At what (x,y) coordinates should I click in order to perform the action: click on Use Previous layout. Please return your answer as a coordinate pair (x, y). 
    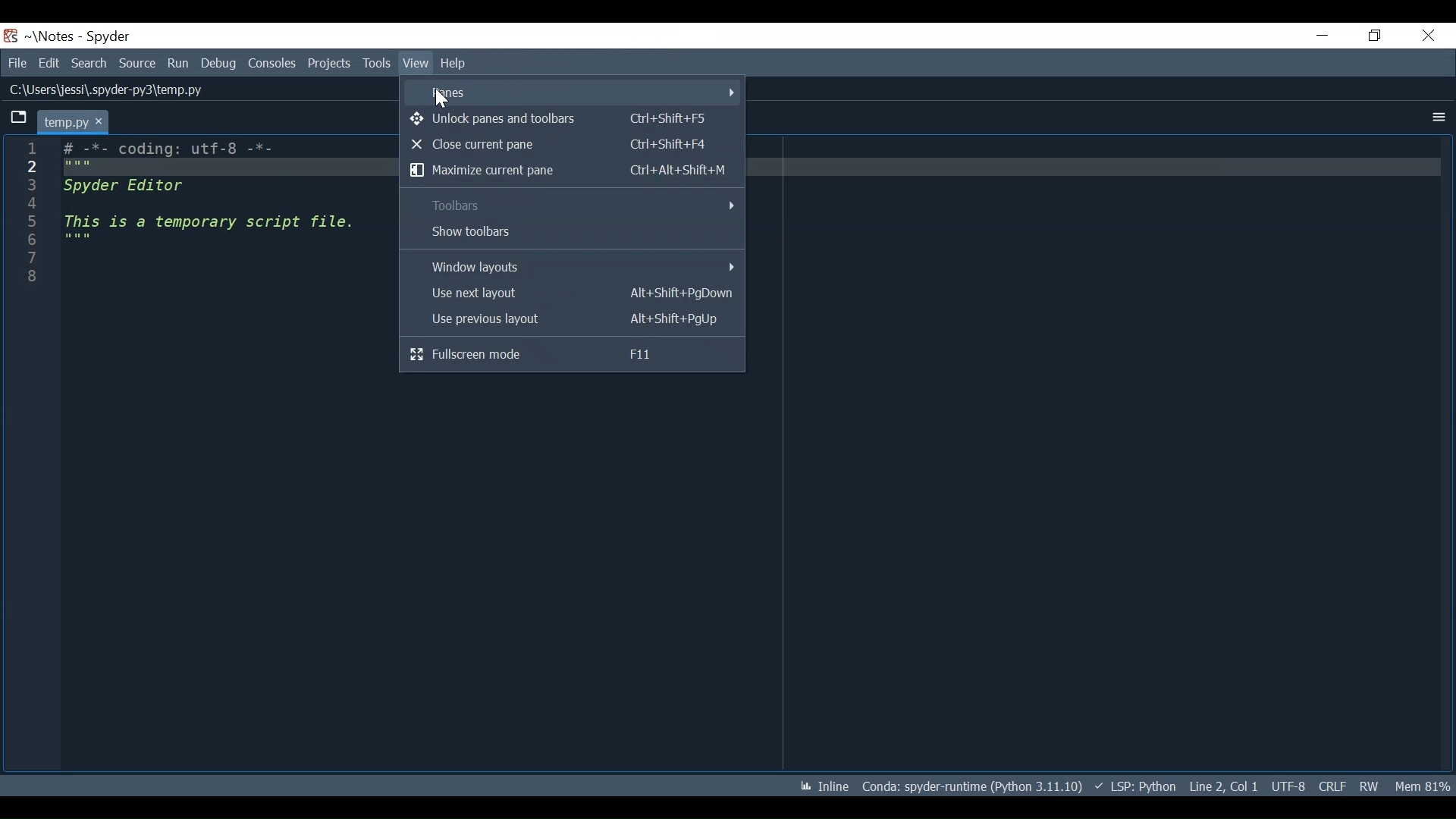
    Looking at the image, I should click on (573, 319).